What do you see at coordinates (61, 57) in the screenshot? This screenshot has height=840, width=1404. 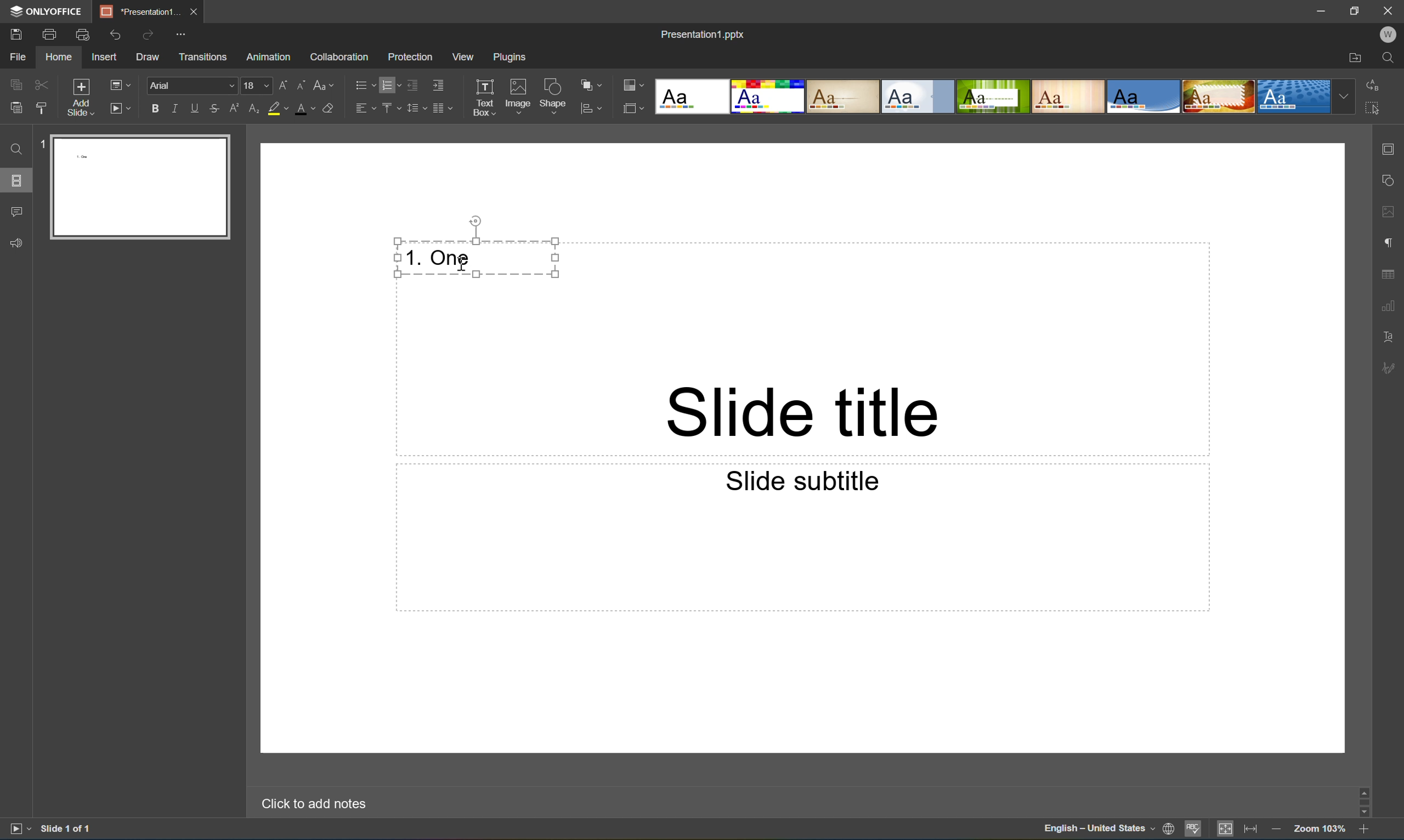 I see `Home` at bounding box center [61, 57].